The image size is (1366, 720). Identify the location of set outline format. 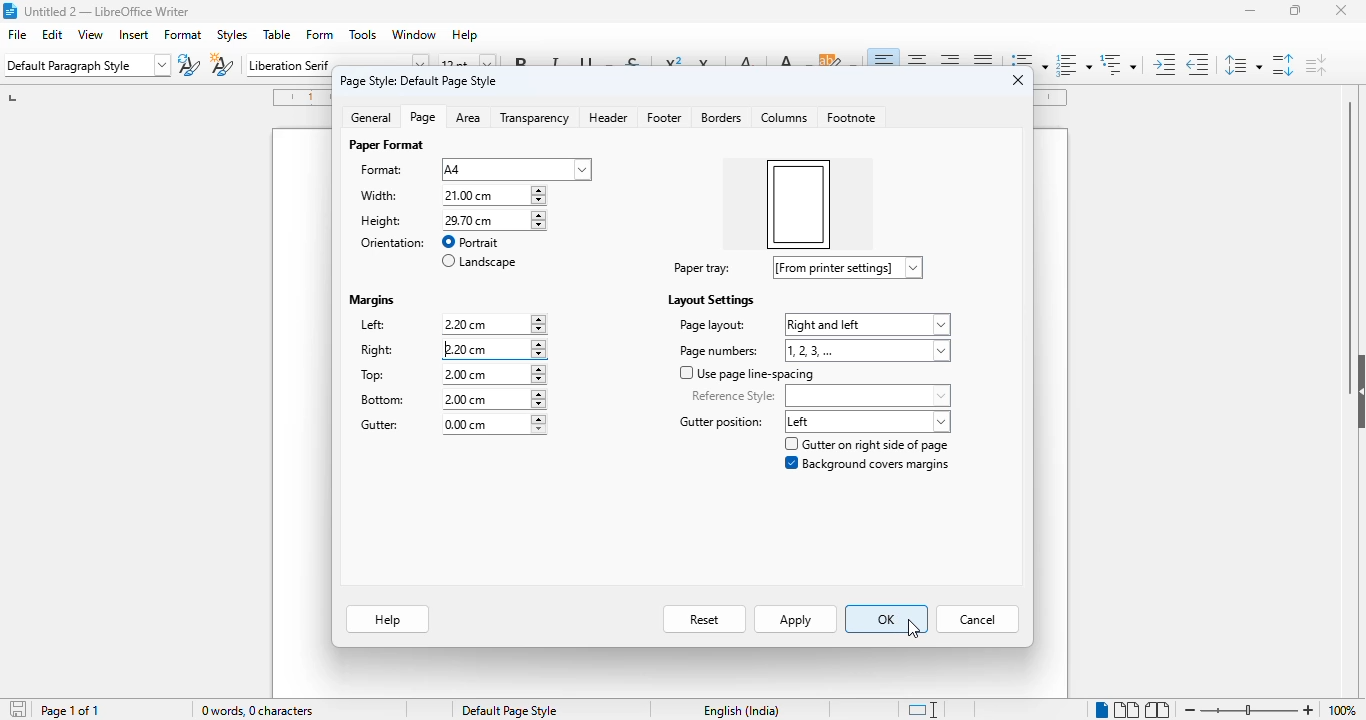
(1118, 65).